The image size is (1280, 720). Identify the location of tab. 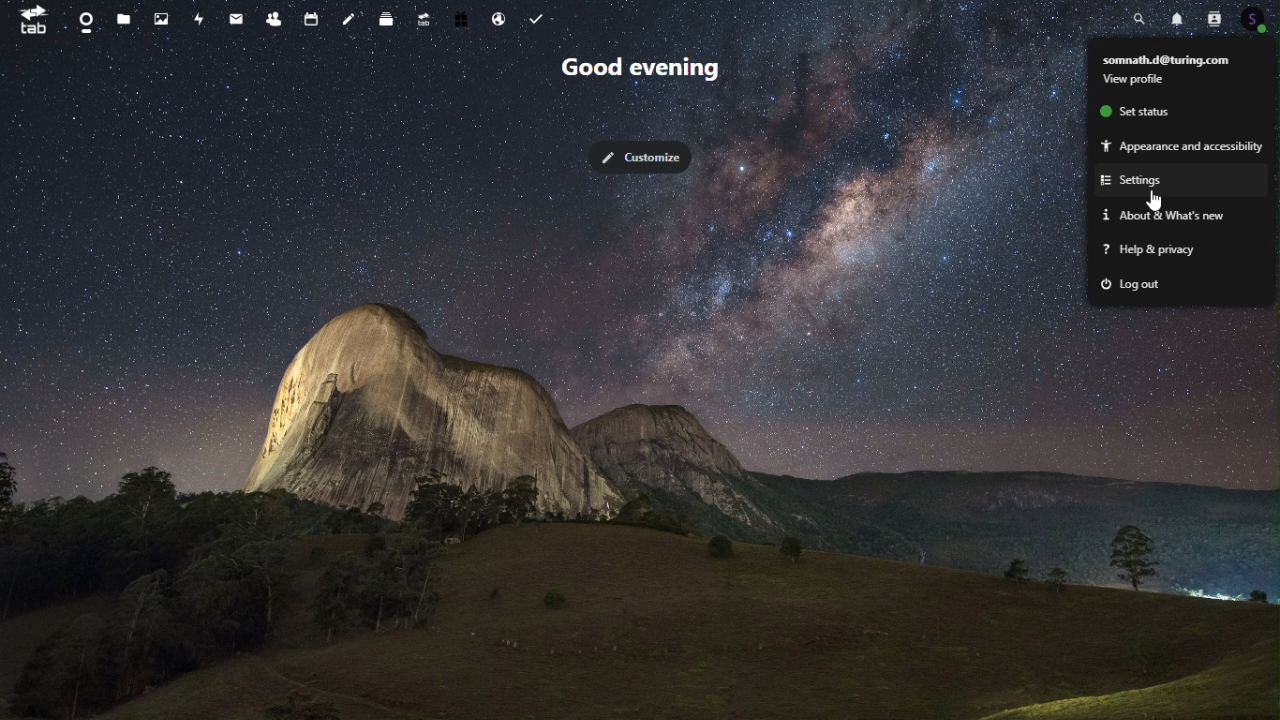
(32, 20).